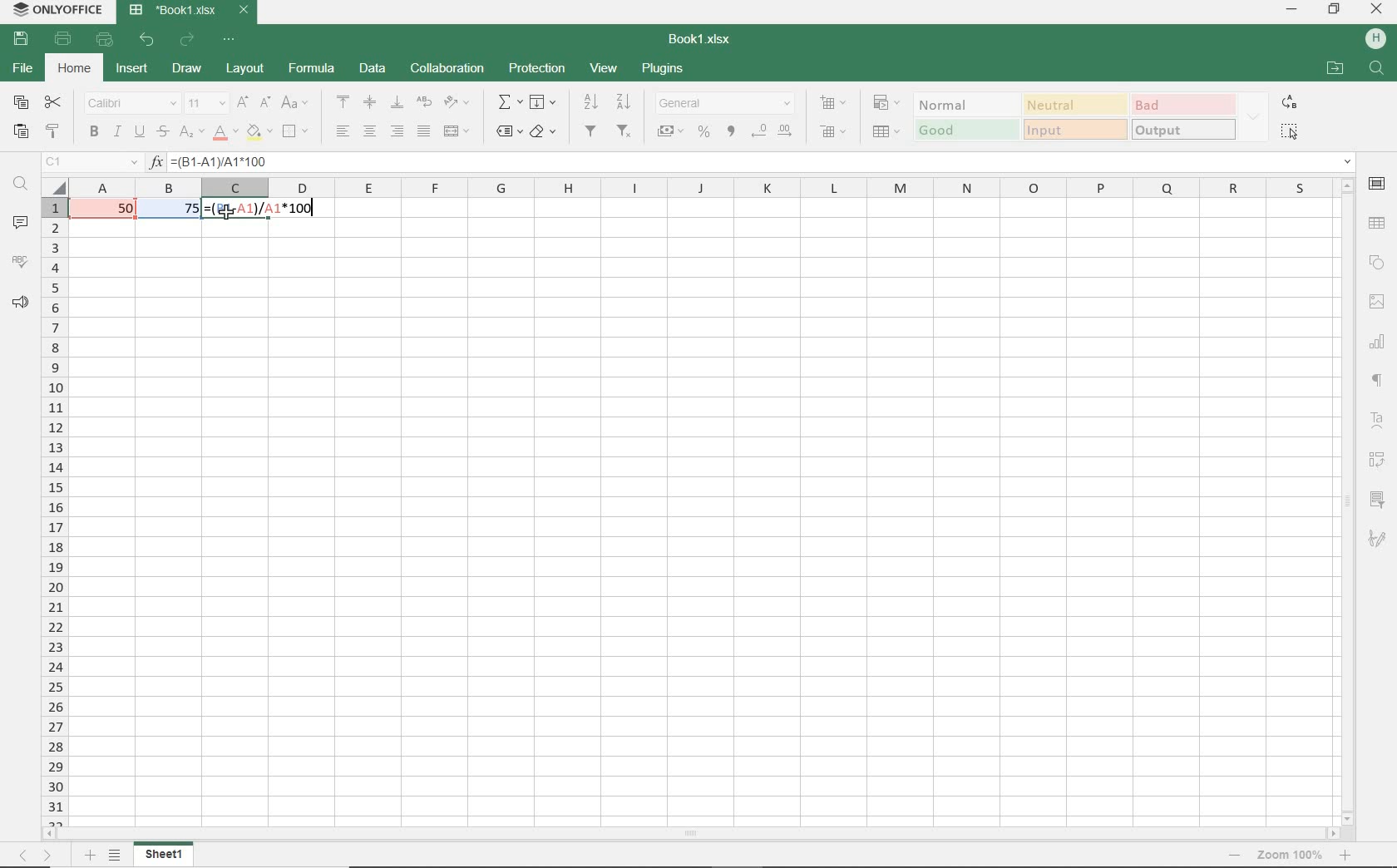  What do you see at coordinates (93, 133) in the screenshot?
I see `bold` at bounding box center [93, 133].